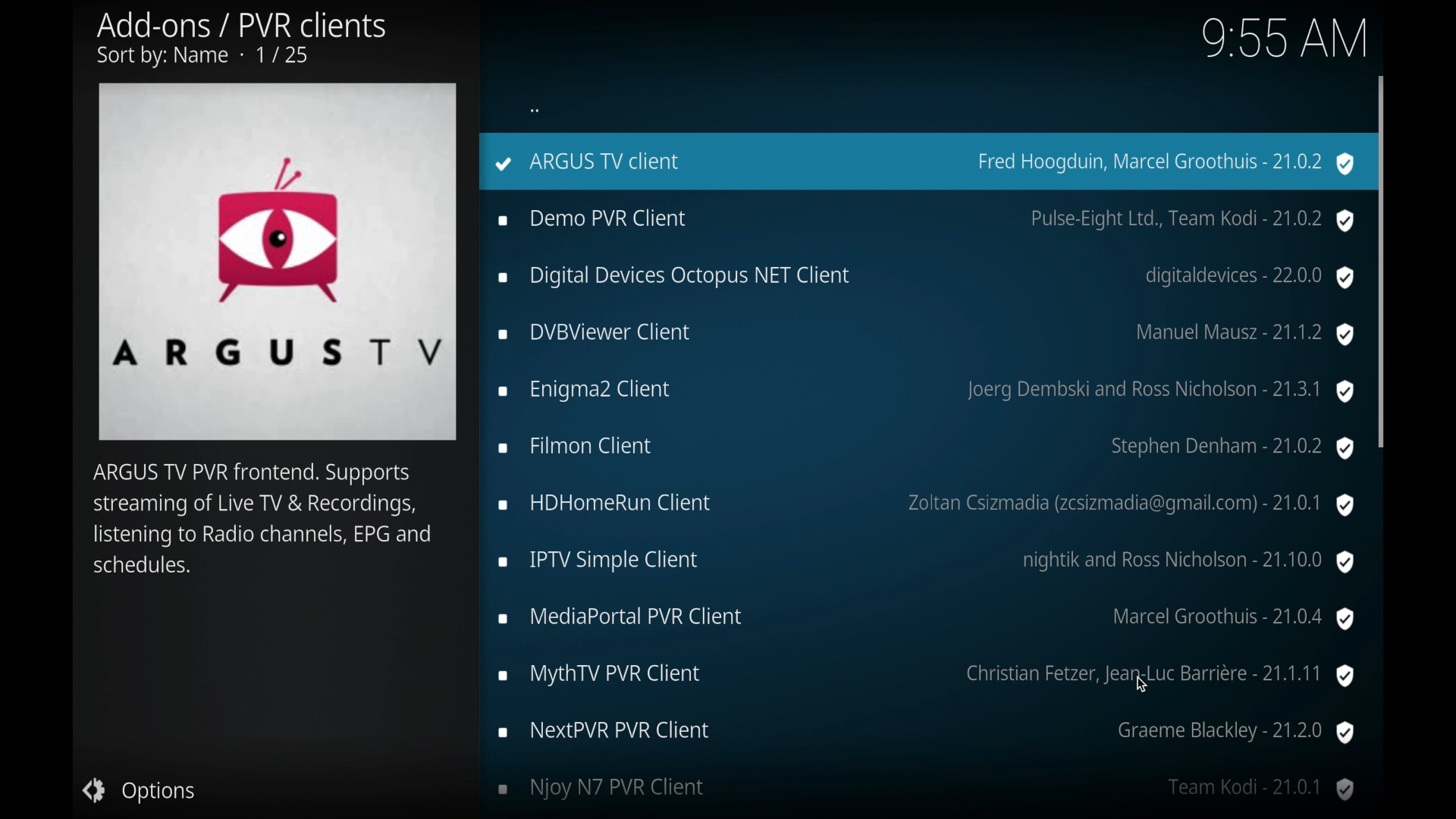 The height and width of the screenshot is (819, 1456). I want to click on add-ons/pvr clients, so click(241, 40).